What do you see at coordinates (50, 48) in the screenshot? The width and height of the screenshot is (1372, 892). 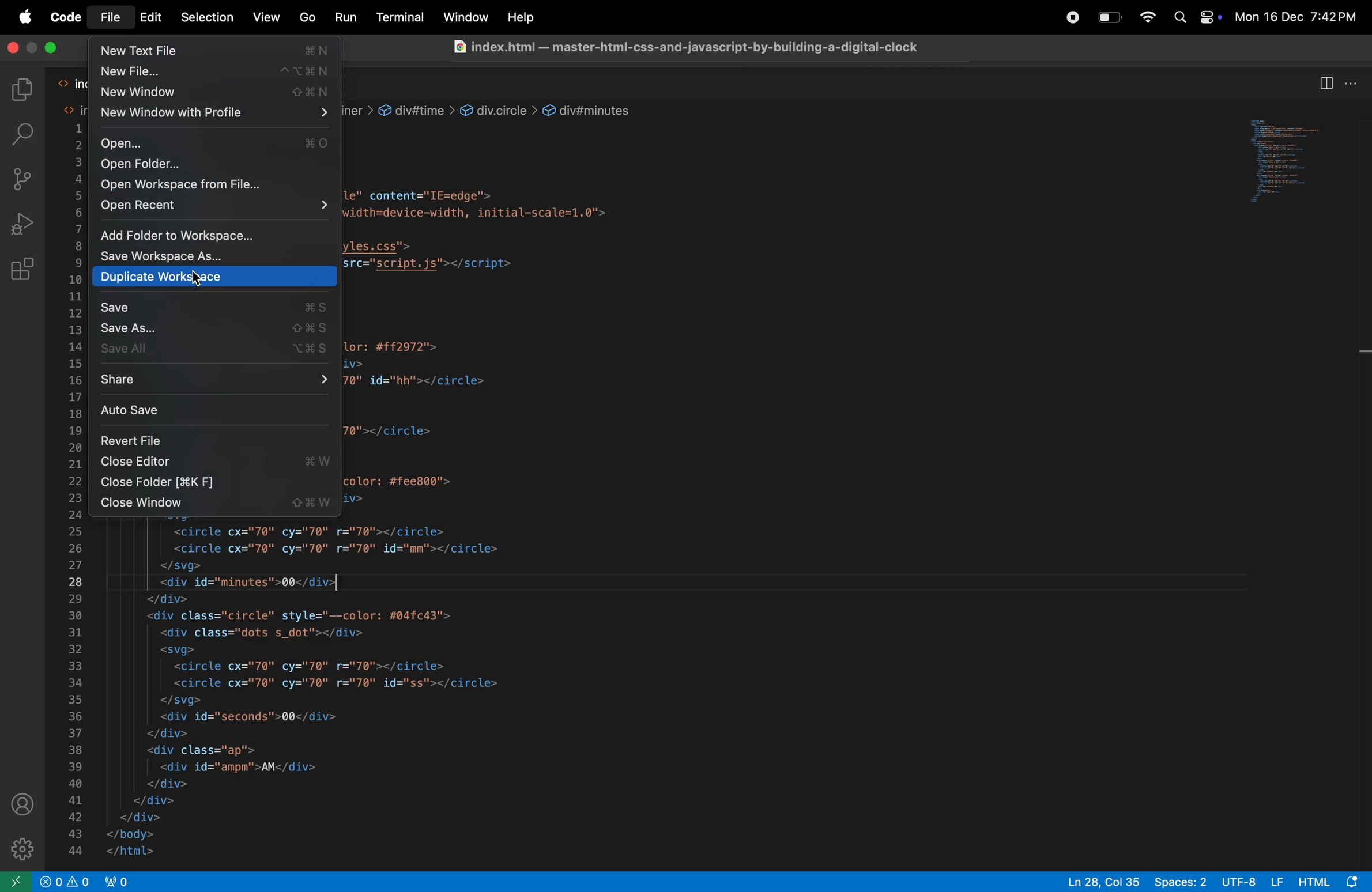 I see `maximize` at bounding box center [50, 48].